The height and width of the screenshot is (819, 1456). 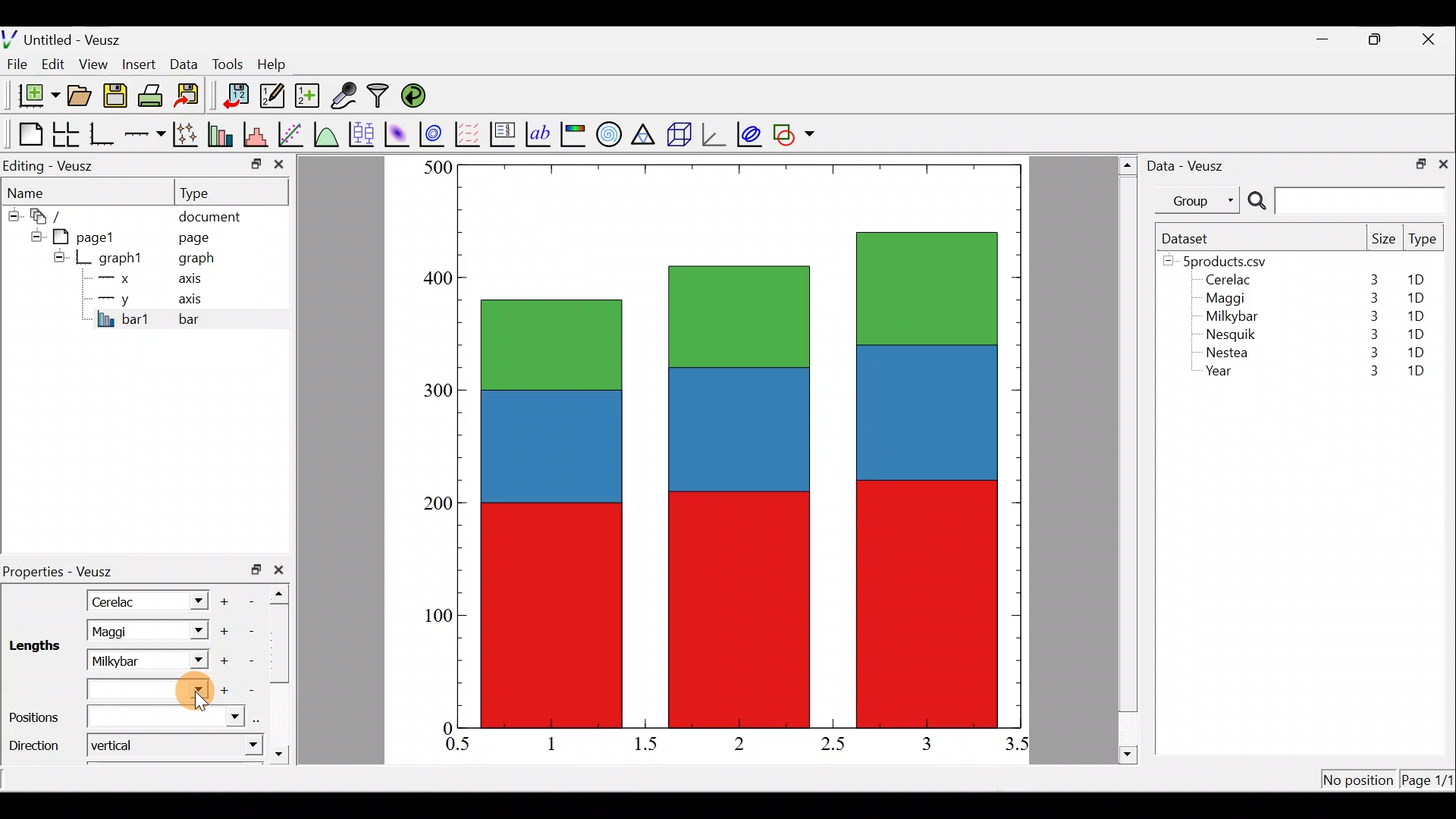 I want to click on bar1, so click(x=124, y=318).